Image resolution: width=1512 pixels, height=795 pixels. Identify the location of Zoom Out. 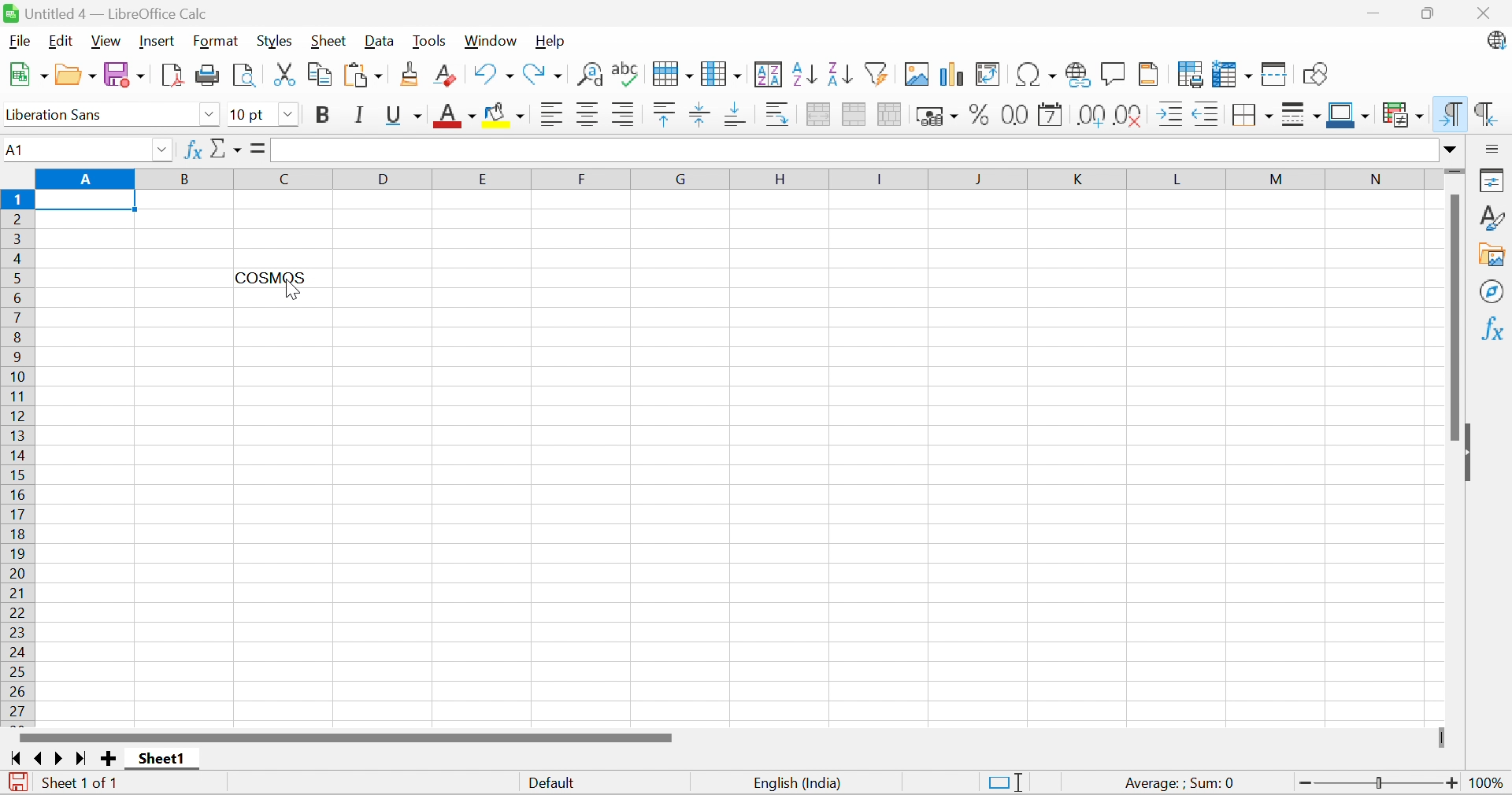
(1303, 783).